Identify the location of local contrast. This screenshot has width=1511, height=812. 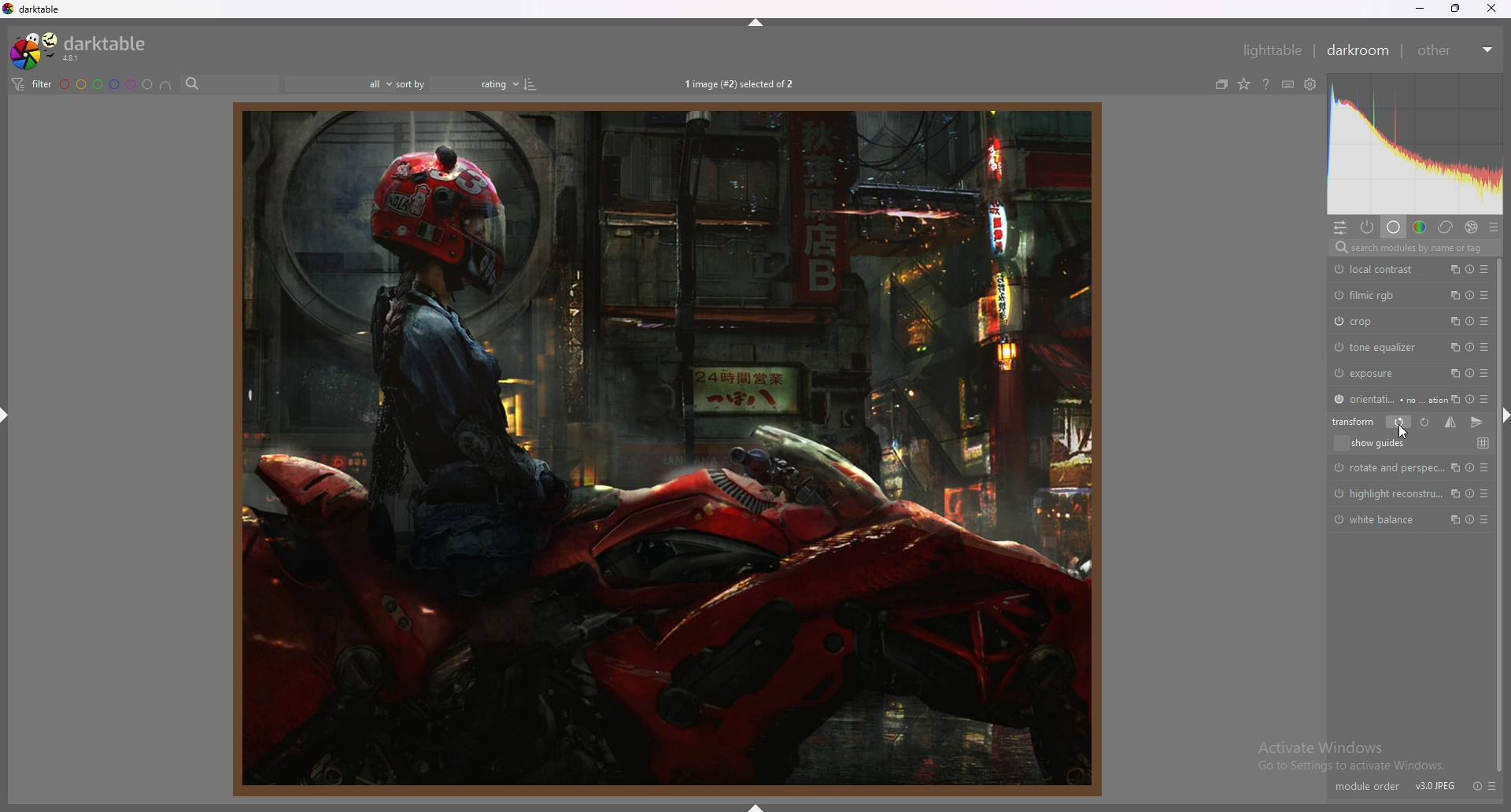
(1377, 270).